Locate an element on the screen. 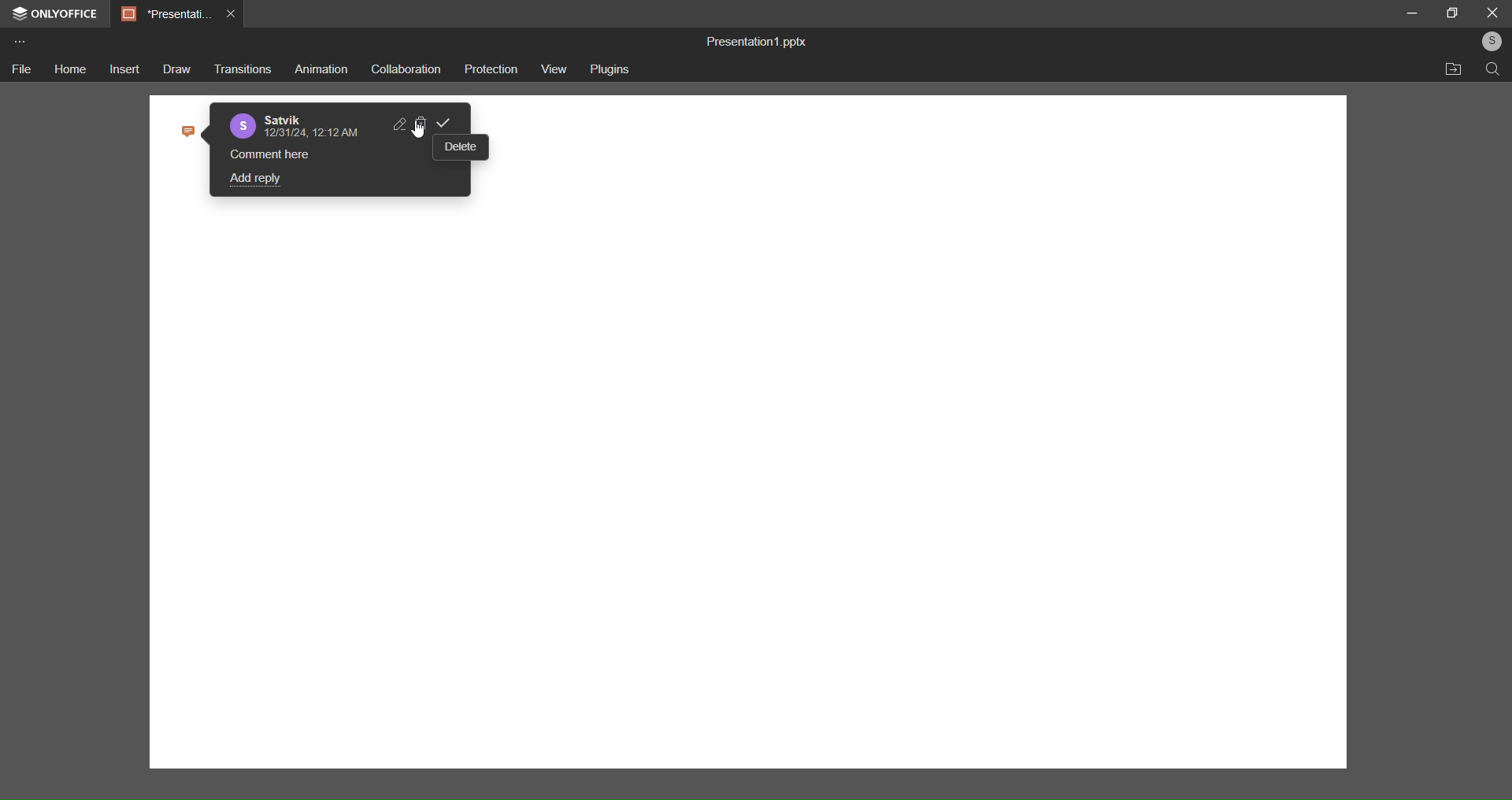  transition is located at coordinates (241, 68).